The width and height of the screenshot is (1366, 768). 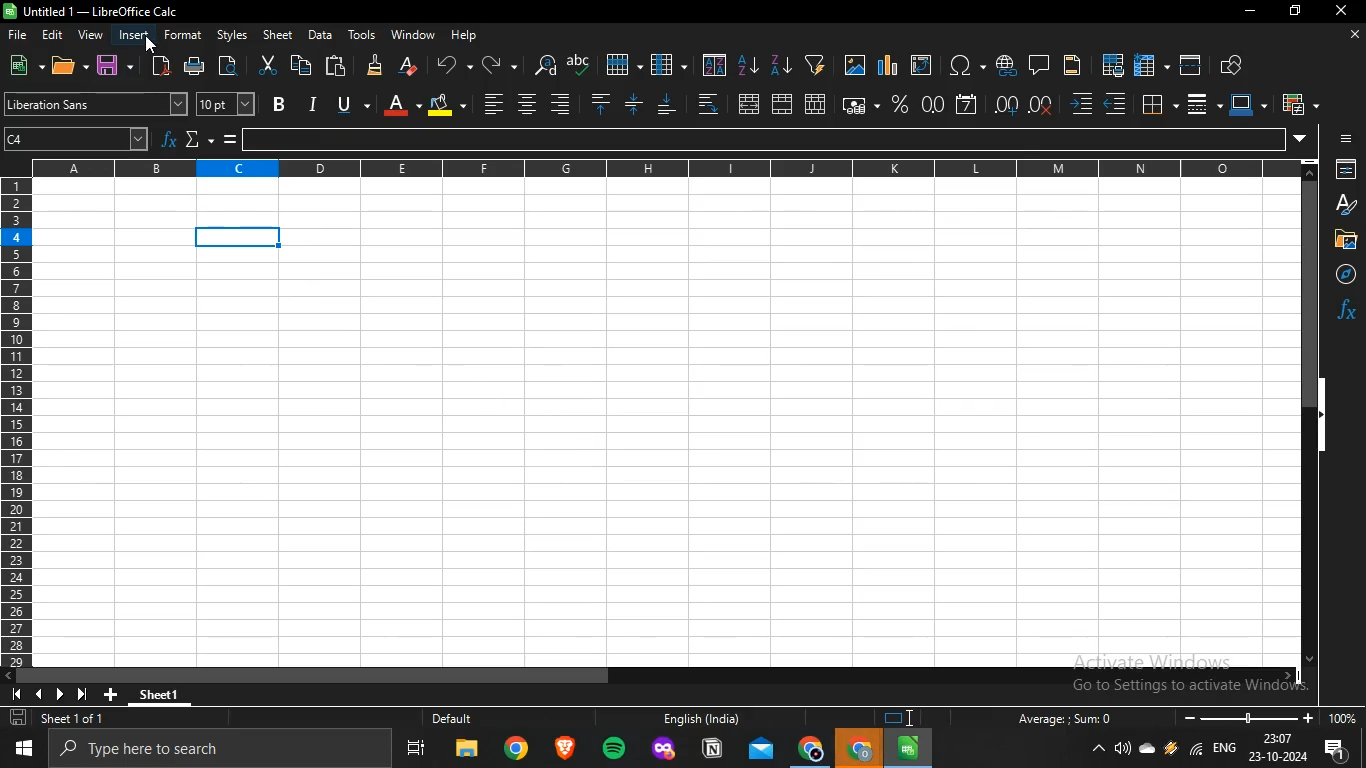 I want to click on font size, so click(x=224, y=103).